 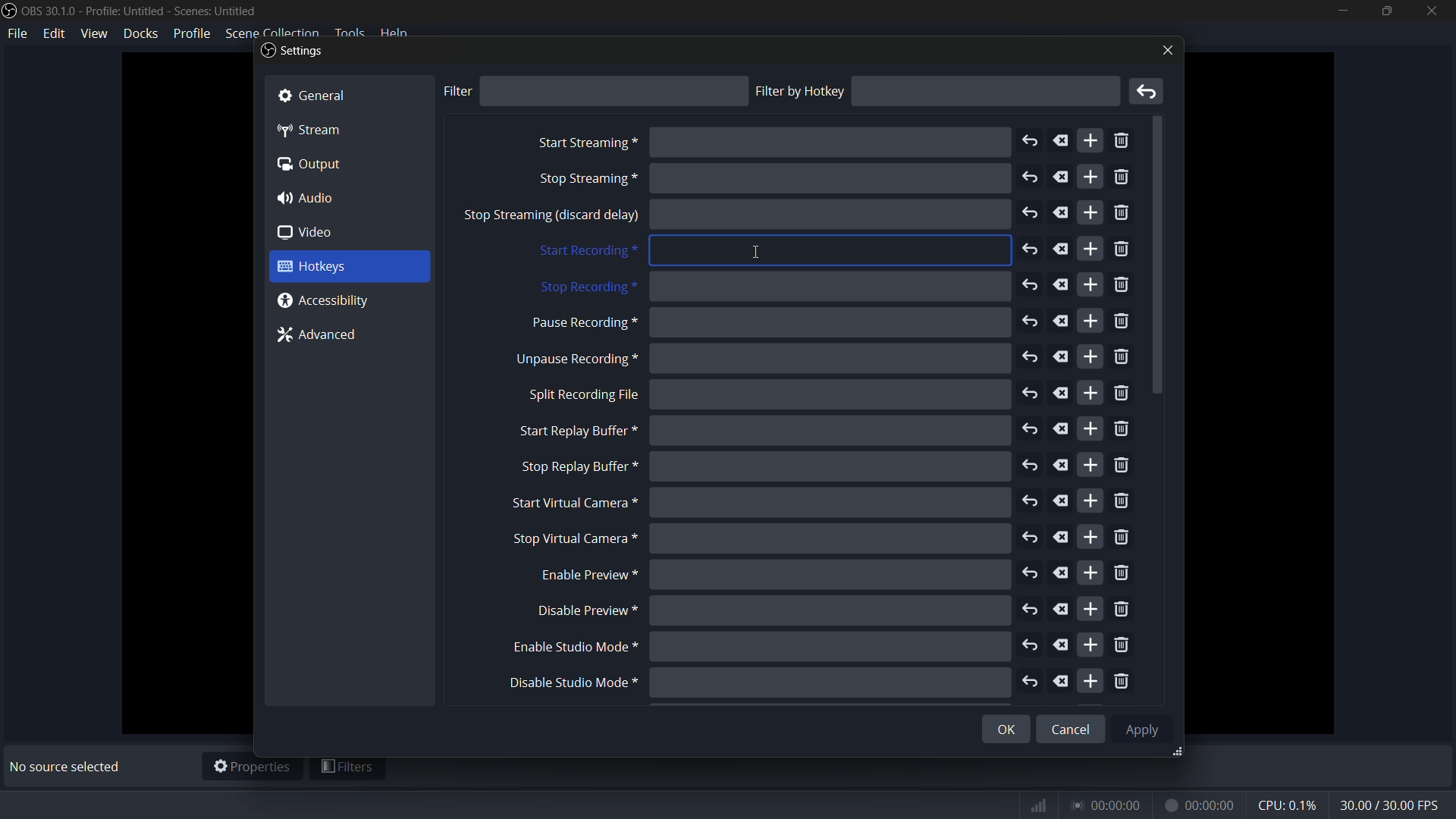 I want to click on Apply, so click(x=1145, y=728).